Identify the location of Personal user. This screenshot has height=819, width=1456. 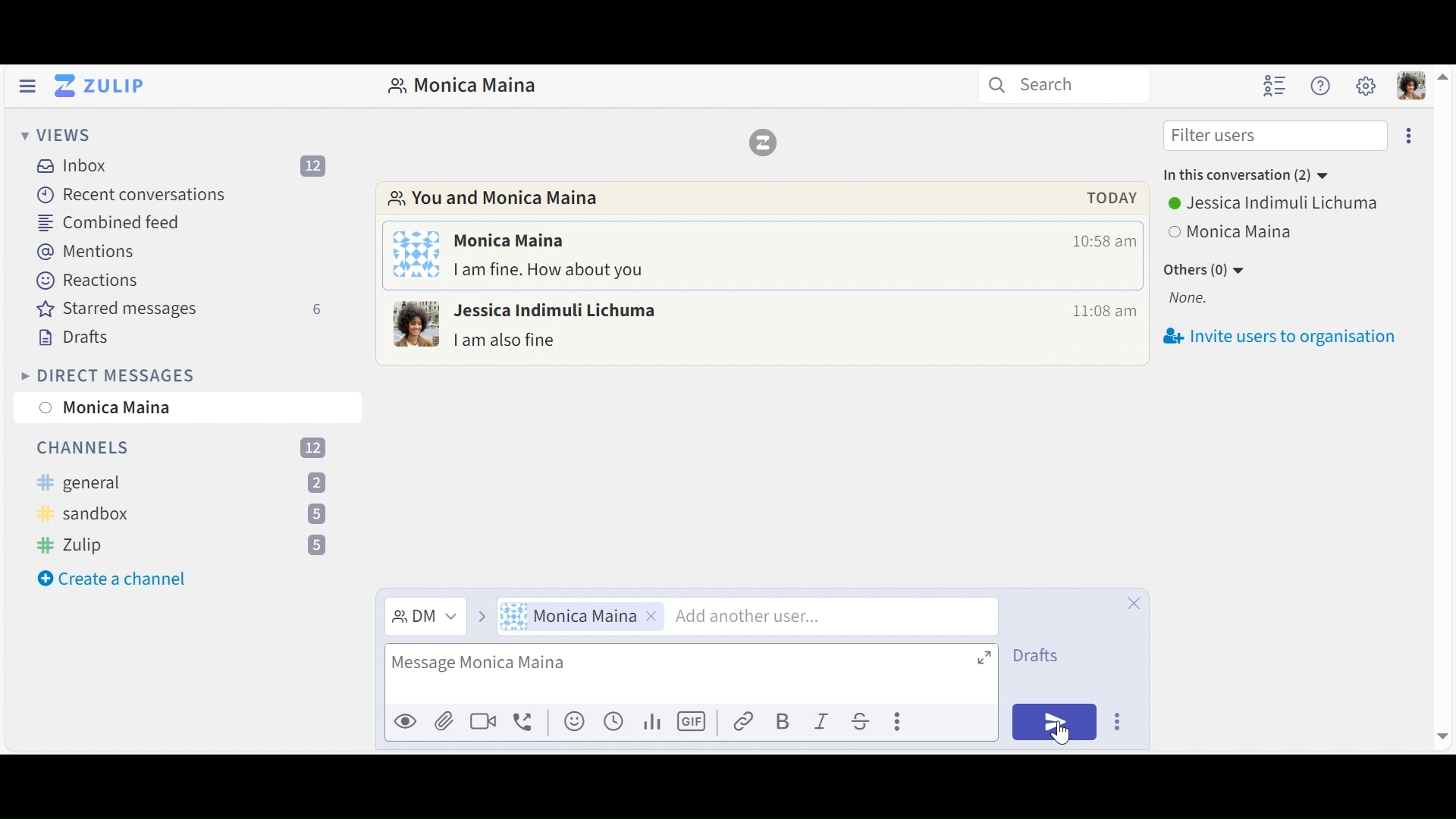
(1411, 85).